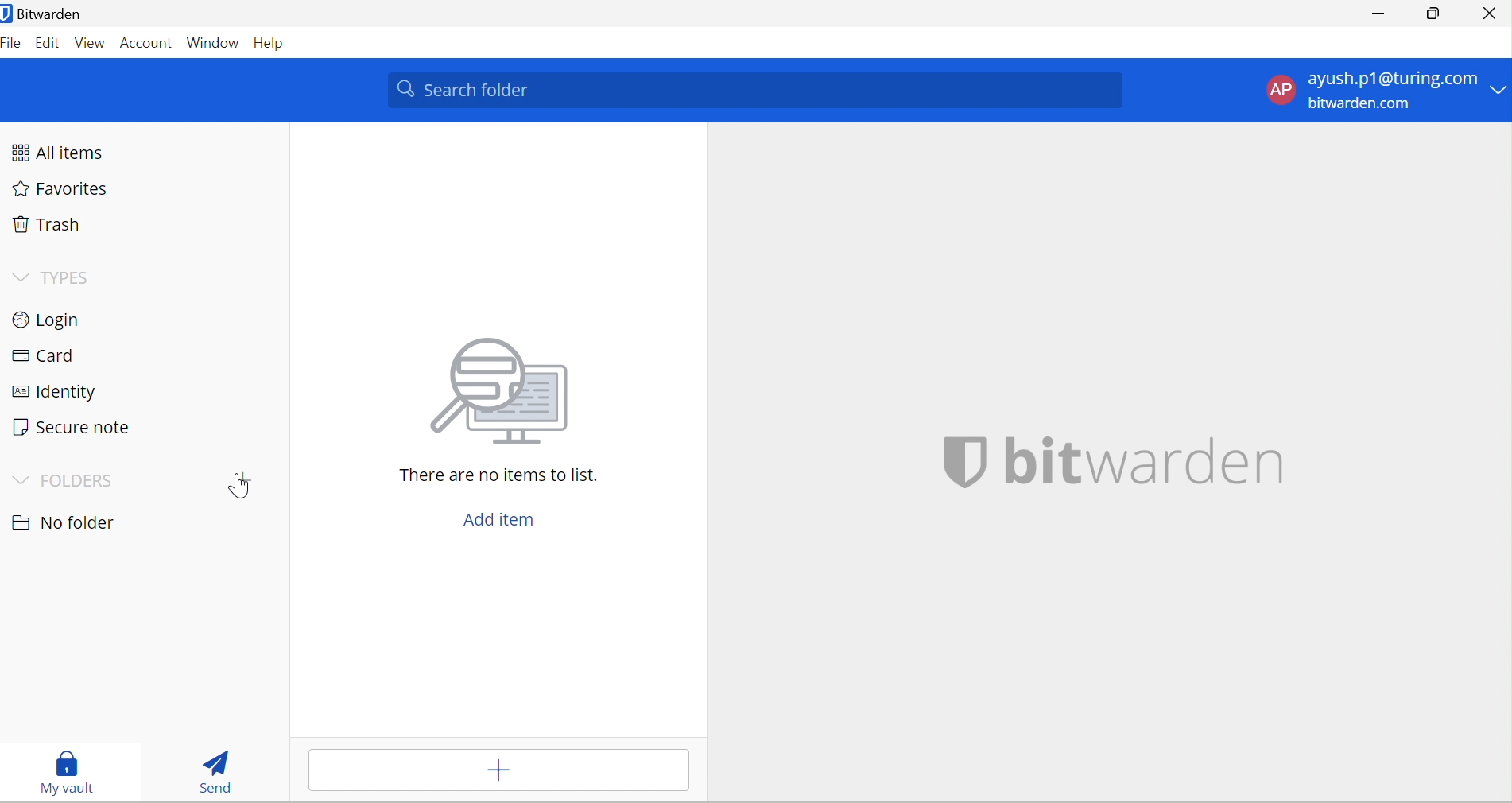  What do you see at coordinates (19, 479) in the screenshot?
I see `Drop Down` at bounding box center [19, 479].